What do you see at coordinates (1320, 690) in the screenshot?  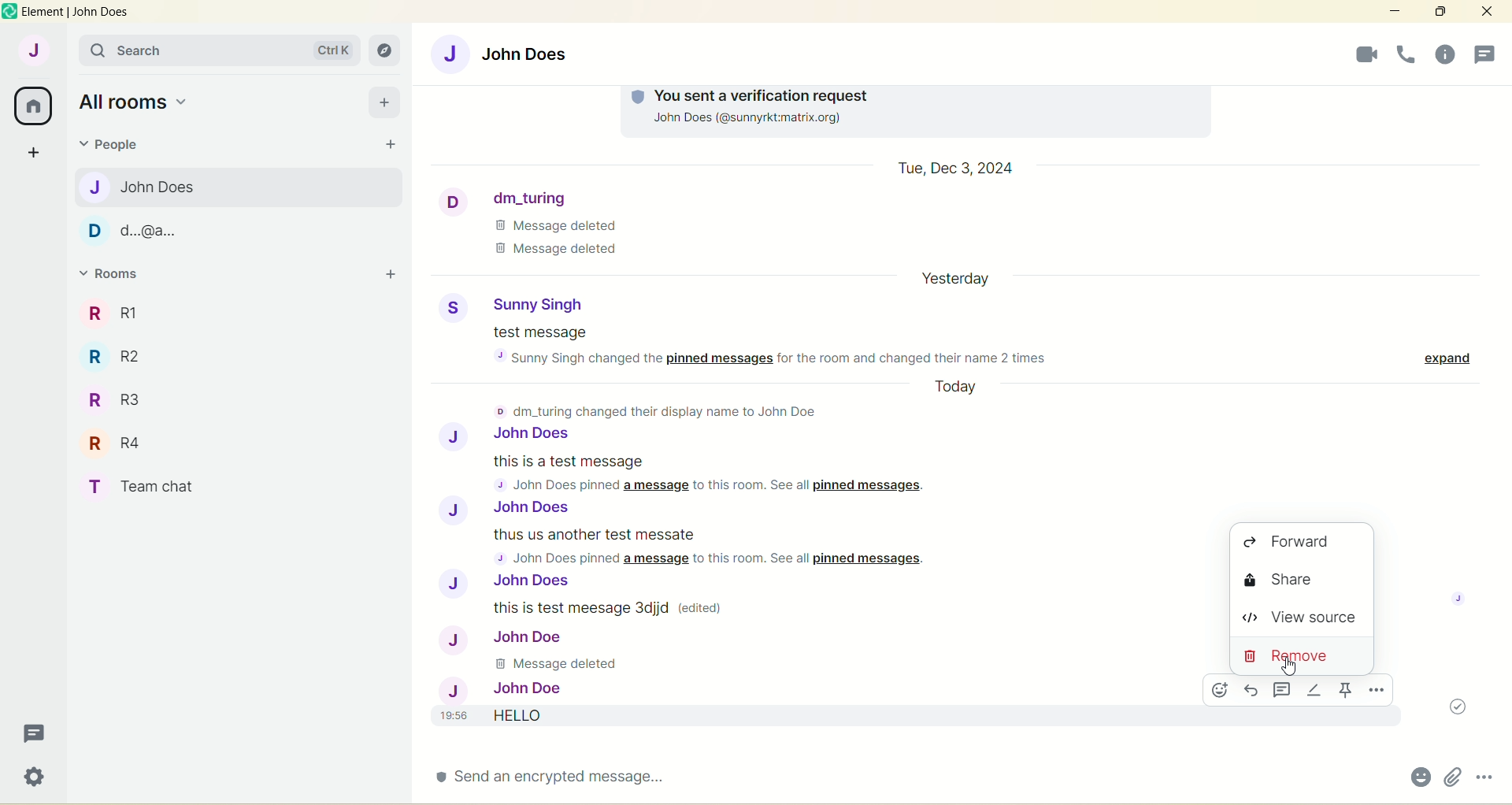 I see `options` at bounding box center [1320, 690].